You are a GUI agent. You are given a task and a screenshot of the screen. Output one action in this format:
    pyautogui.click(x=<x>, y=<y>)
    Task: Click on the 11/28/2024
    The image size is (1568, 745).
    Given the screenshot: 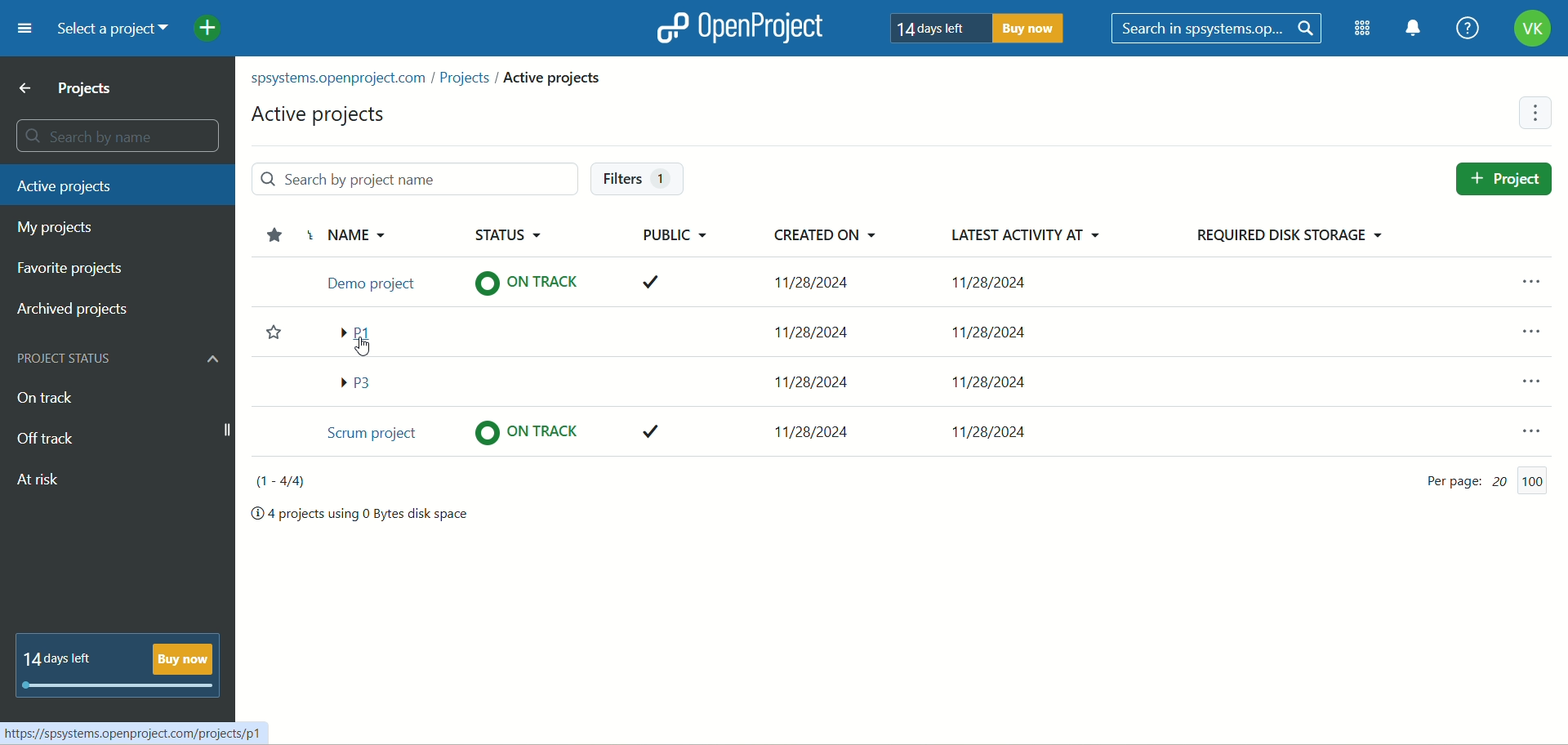 What is the action you would take?
    pyautogui.click(x=817, y=327)
    